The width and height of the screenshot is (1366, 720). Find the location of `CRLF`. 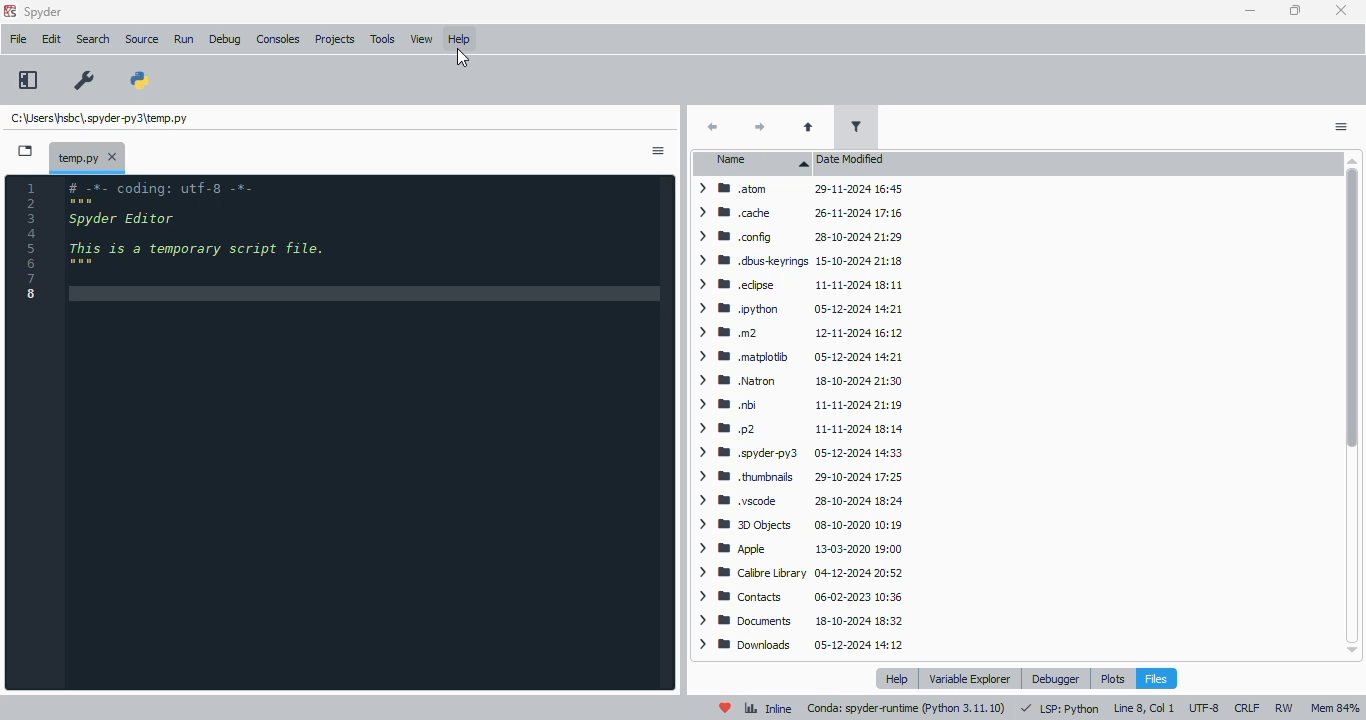

CRLF is located at coordinates (1246, 708).